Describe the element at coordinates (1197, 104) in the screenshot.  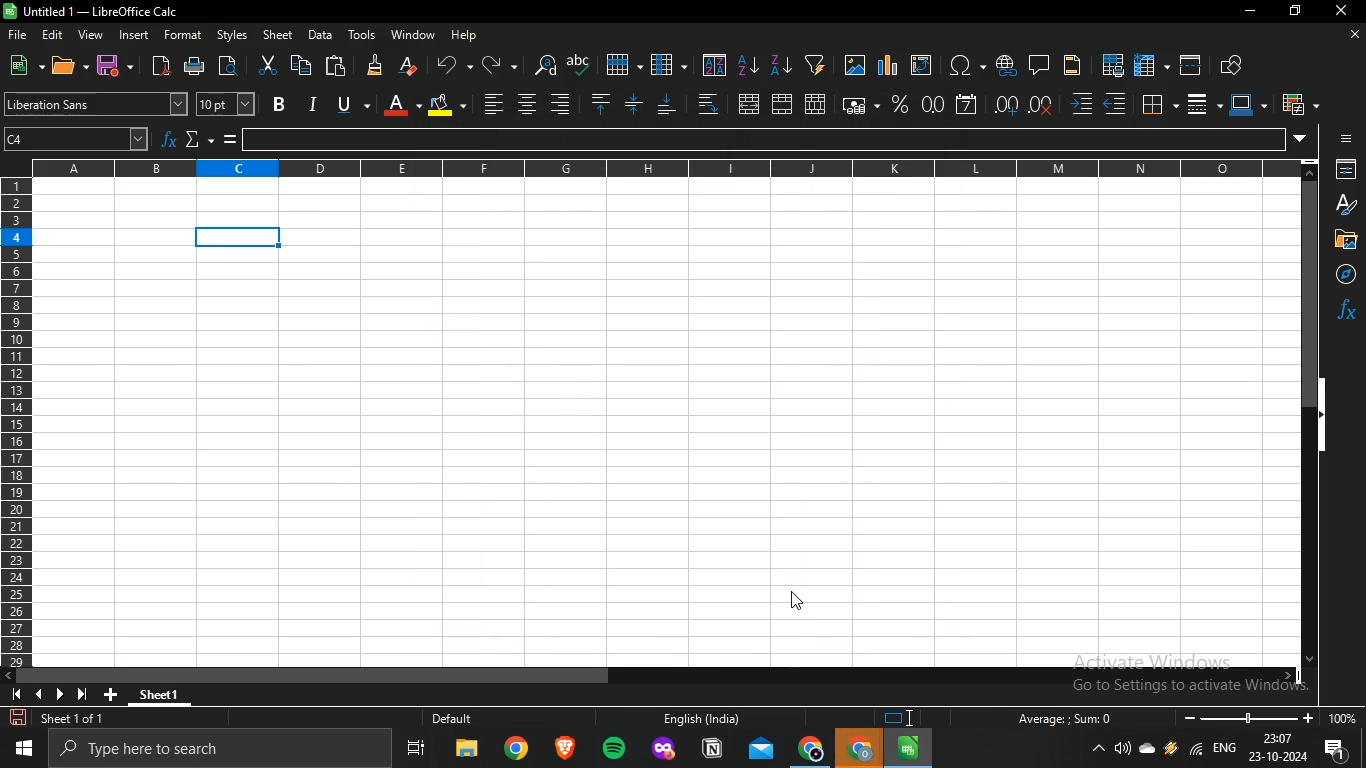
I see `border style` at that location.